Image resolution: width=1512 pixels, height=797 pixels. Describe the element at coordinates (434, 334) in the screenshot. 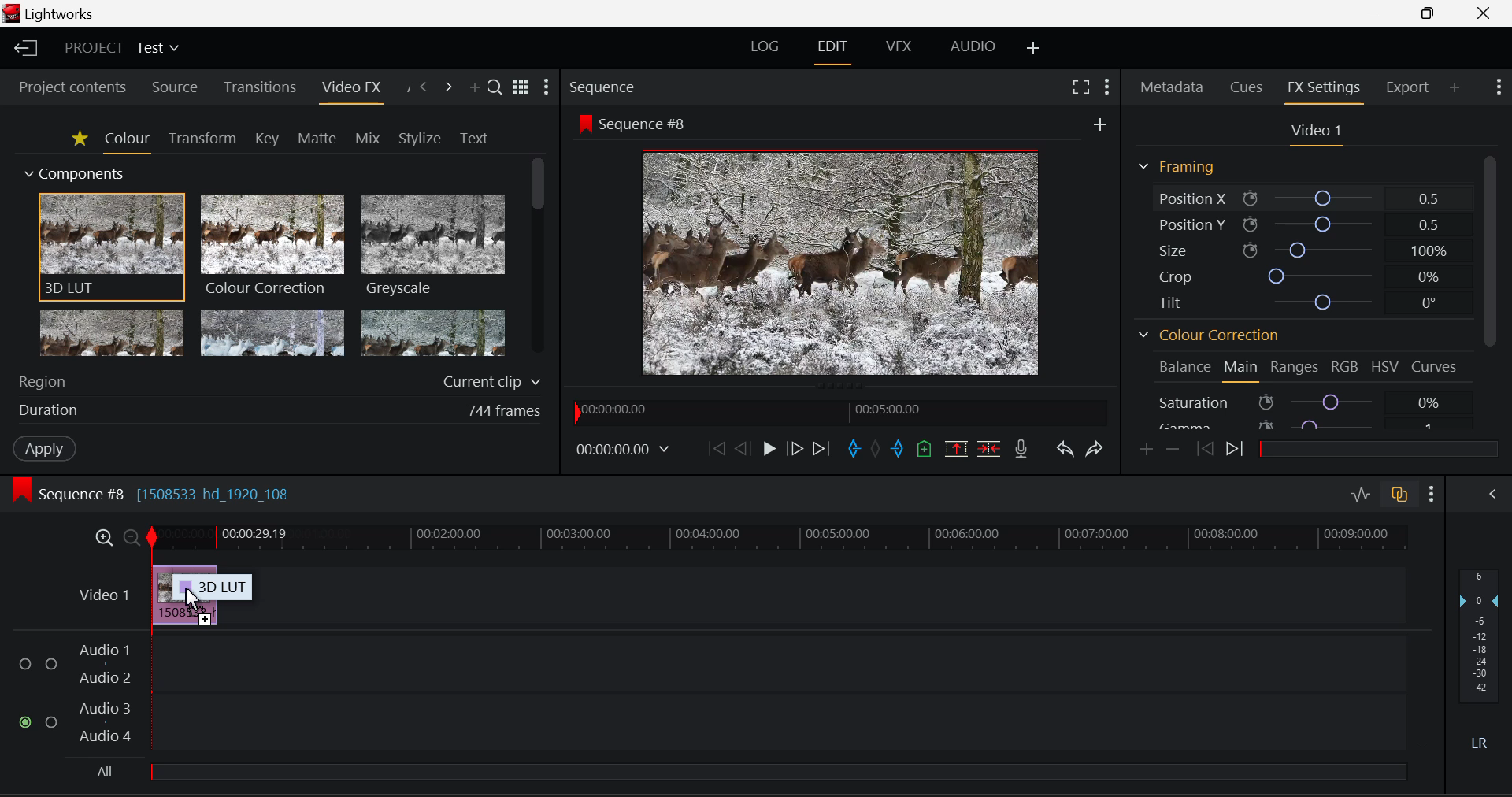

I see `Posterize` at that location.